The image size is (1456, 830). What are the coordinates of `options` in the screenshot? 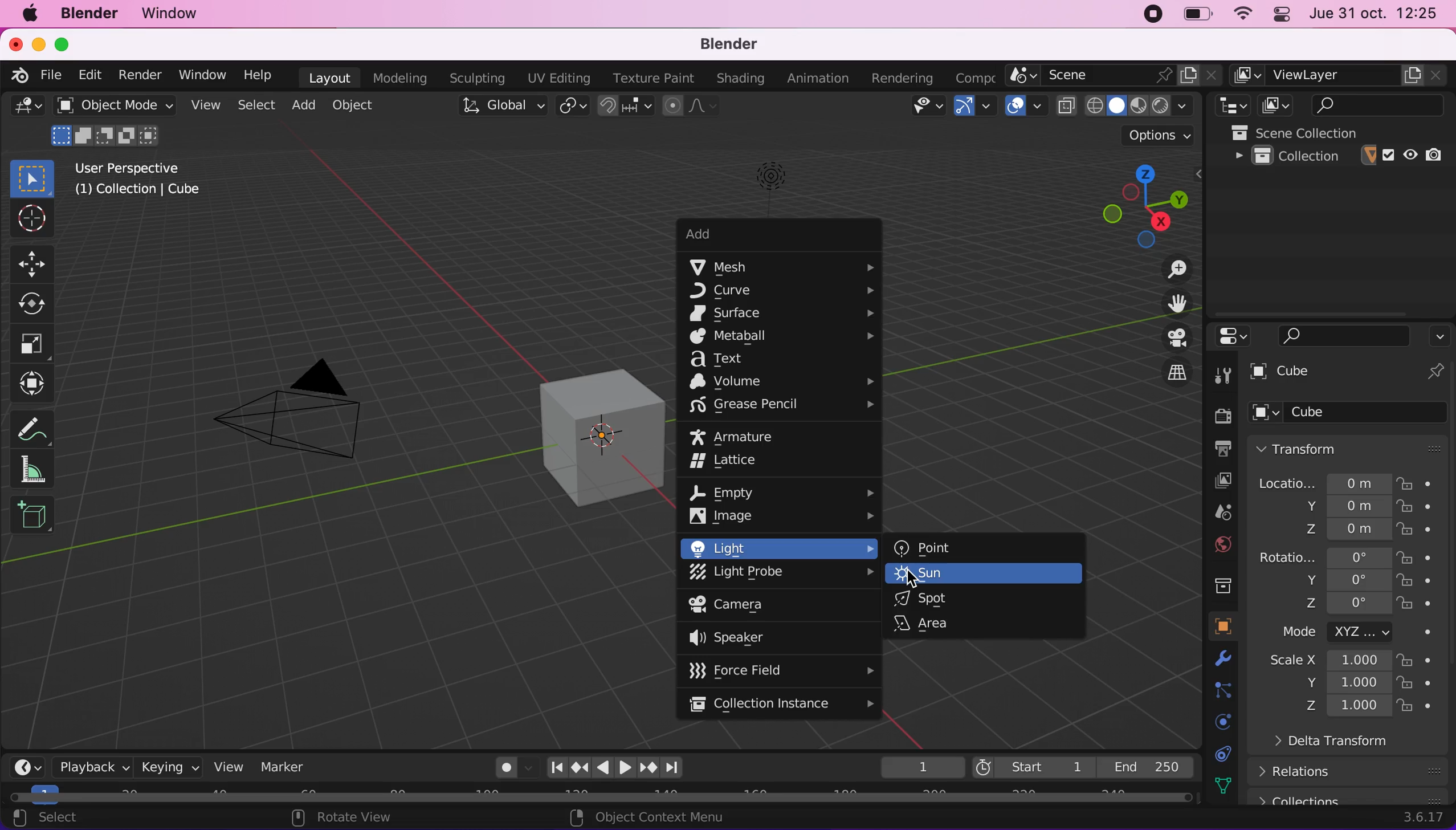 It's located at (1159, 135).